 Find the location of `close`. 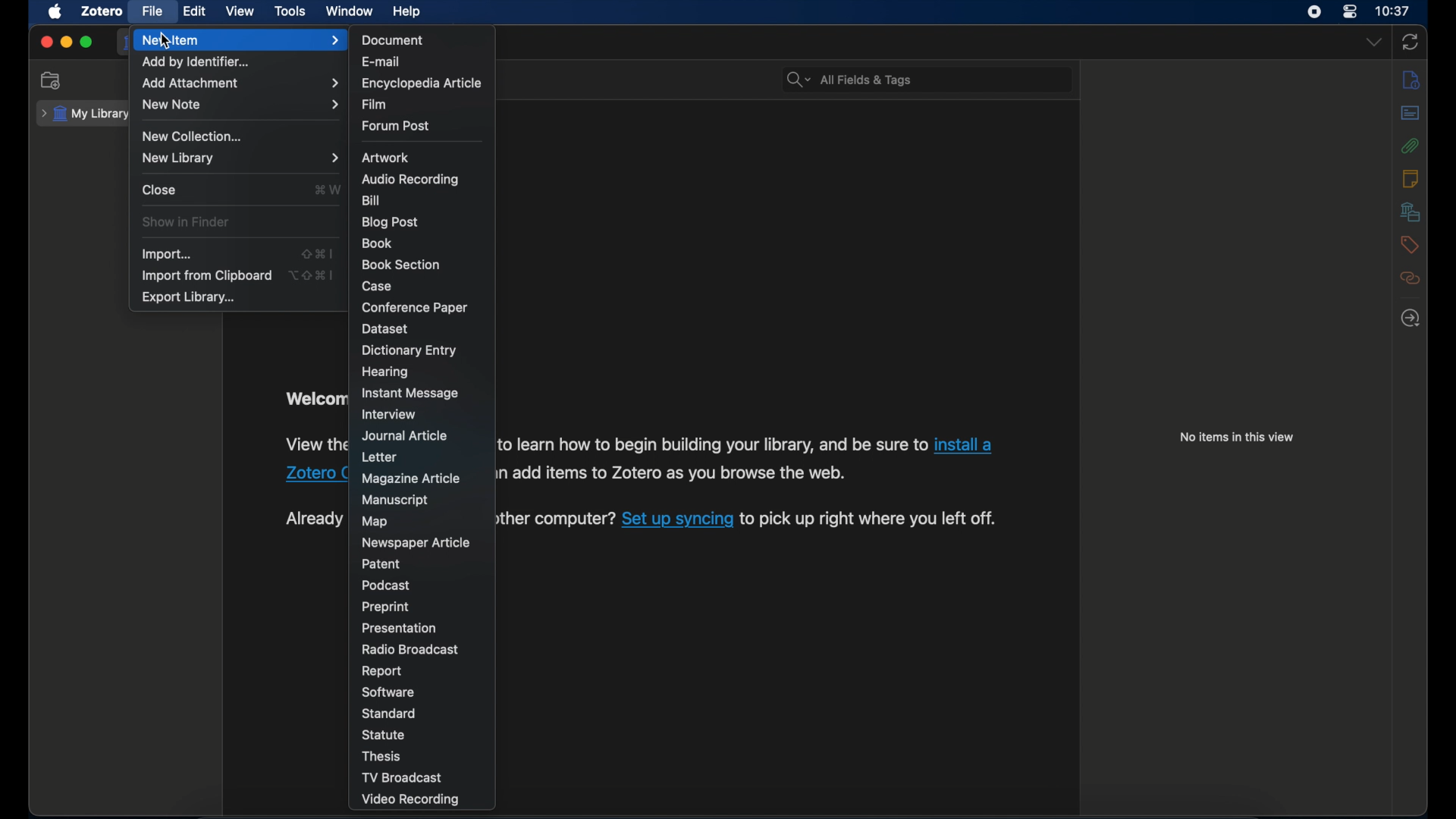

close is located at coordinates (160, 189).